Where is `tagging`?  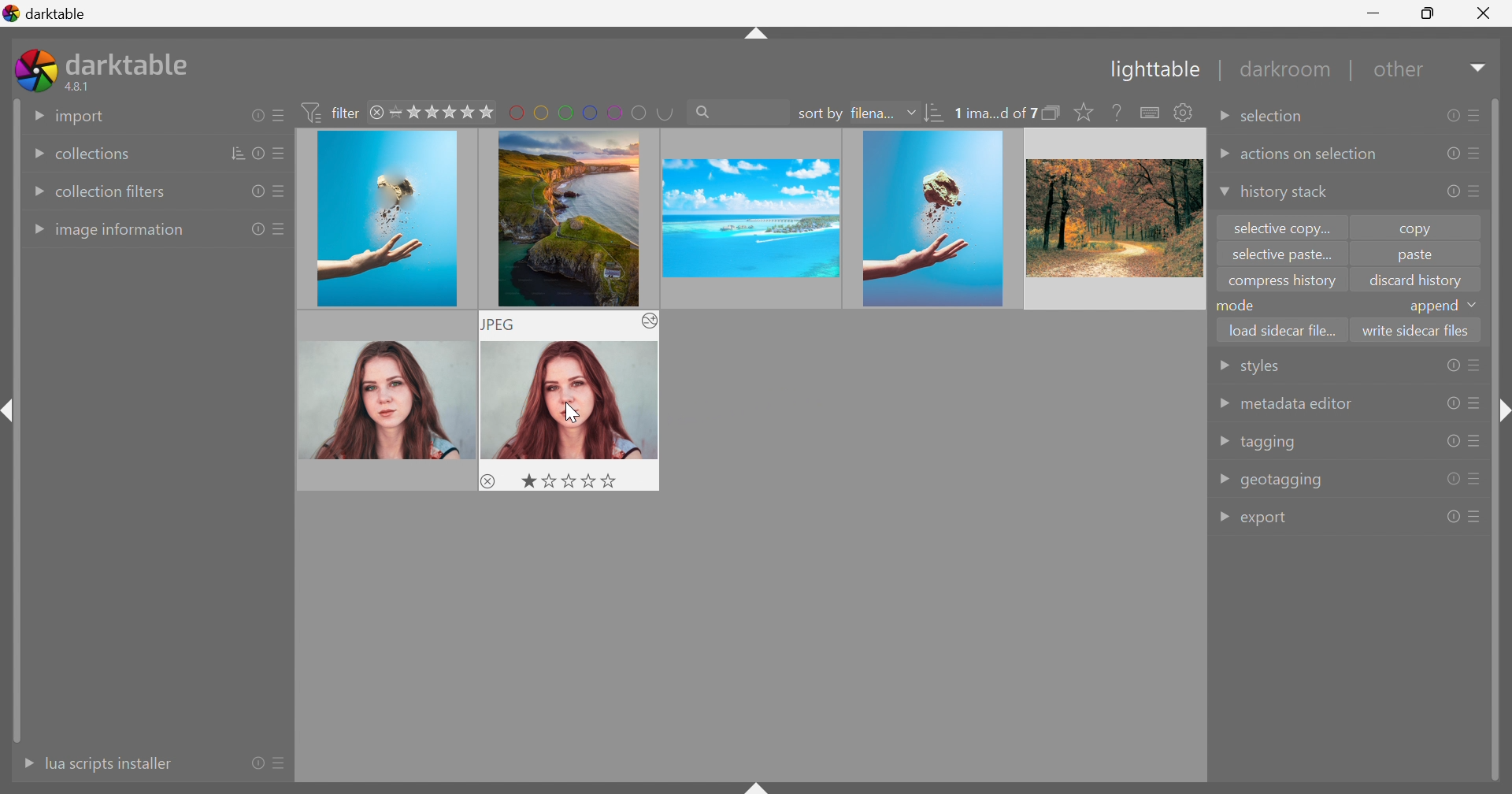 tagging is located at coordinates (1269, 443).